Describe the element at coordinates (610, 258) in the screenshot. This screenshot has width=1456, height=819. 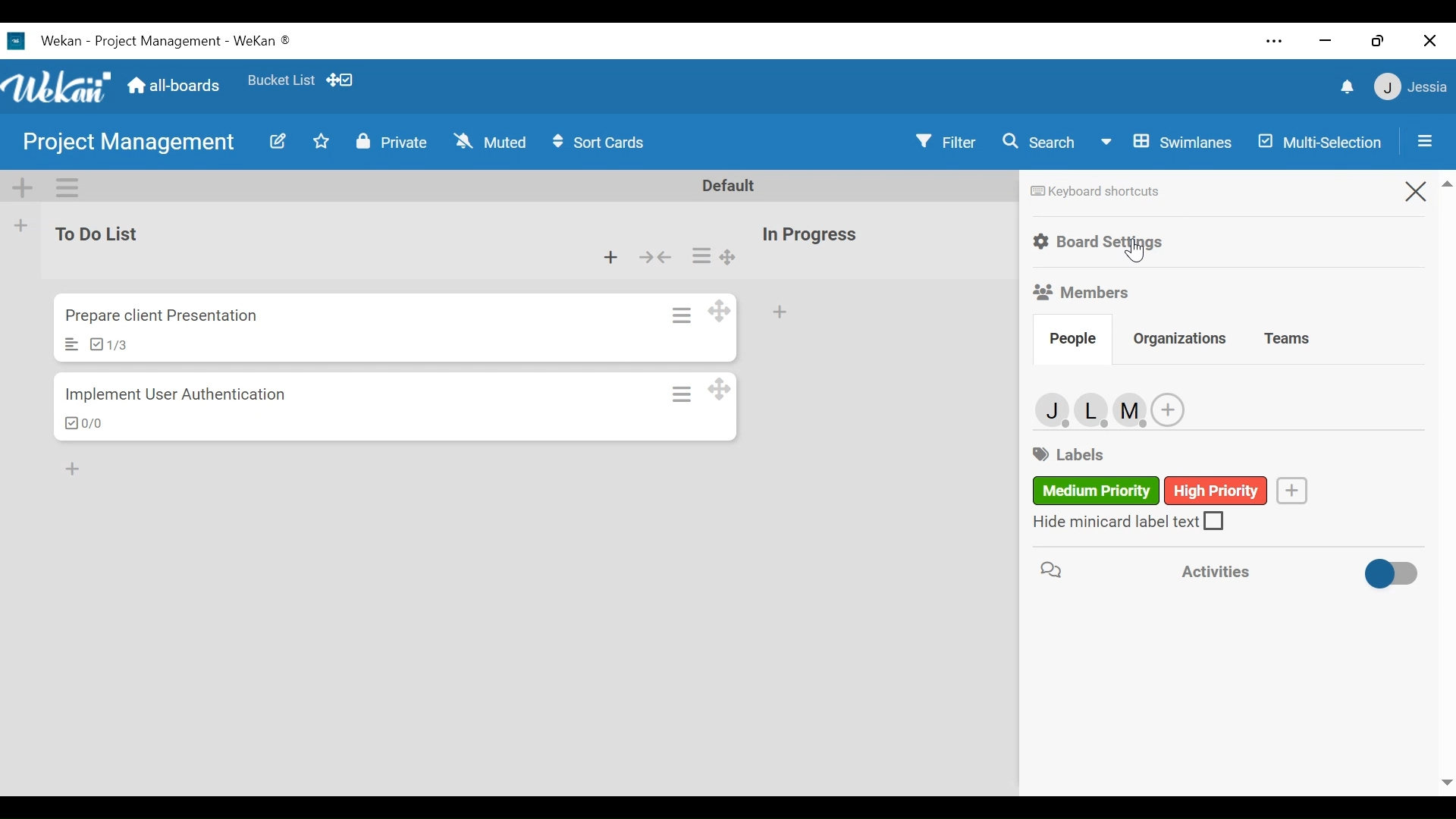
I see `Add card to bottom of the list` at that location.